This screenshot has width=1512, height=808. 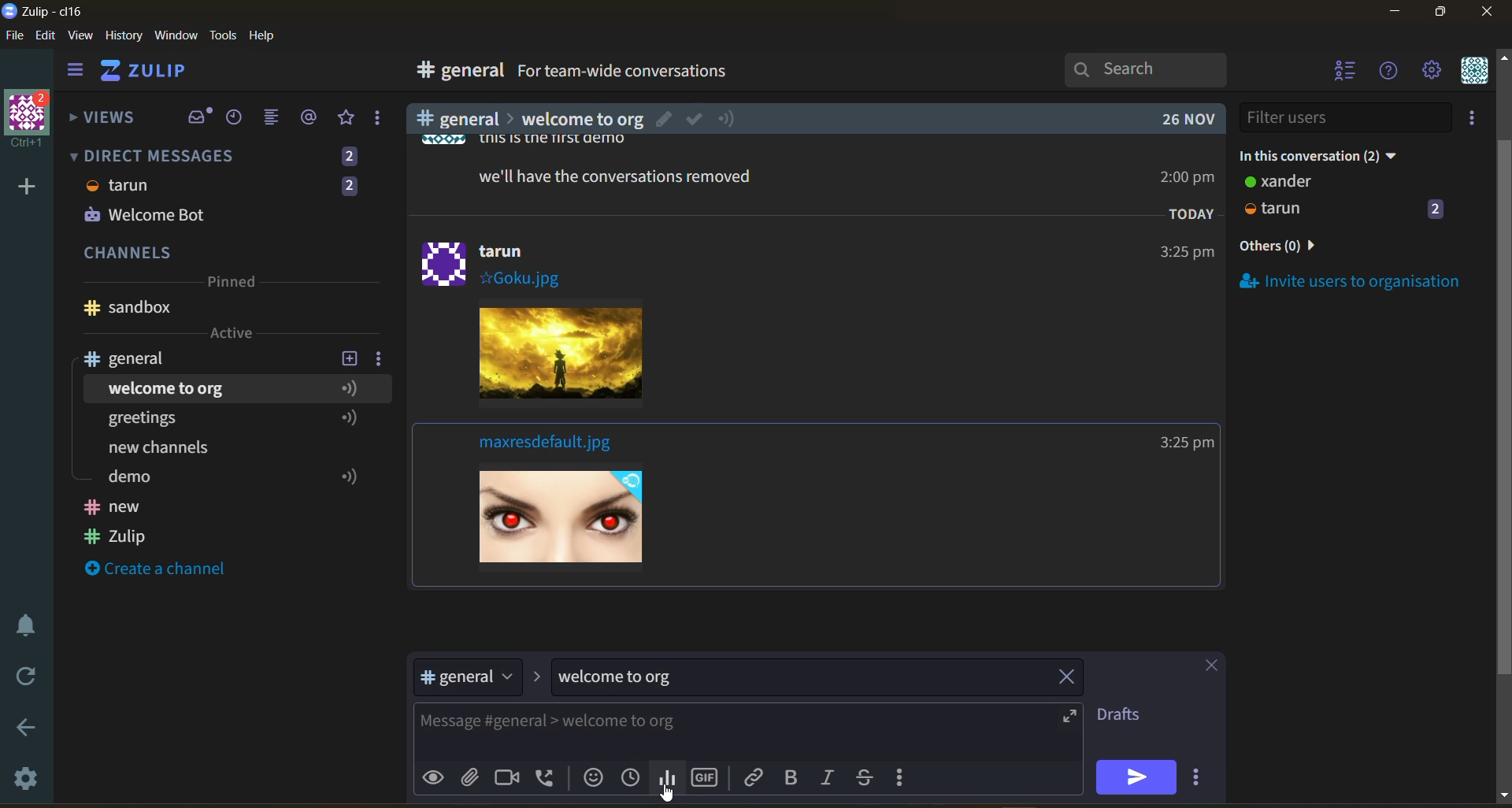 What do you see at coordinates (1125, 717) in the screenshot?
I see `drafts` at bounding box center [1125, 717].